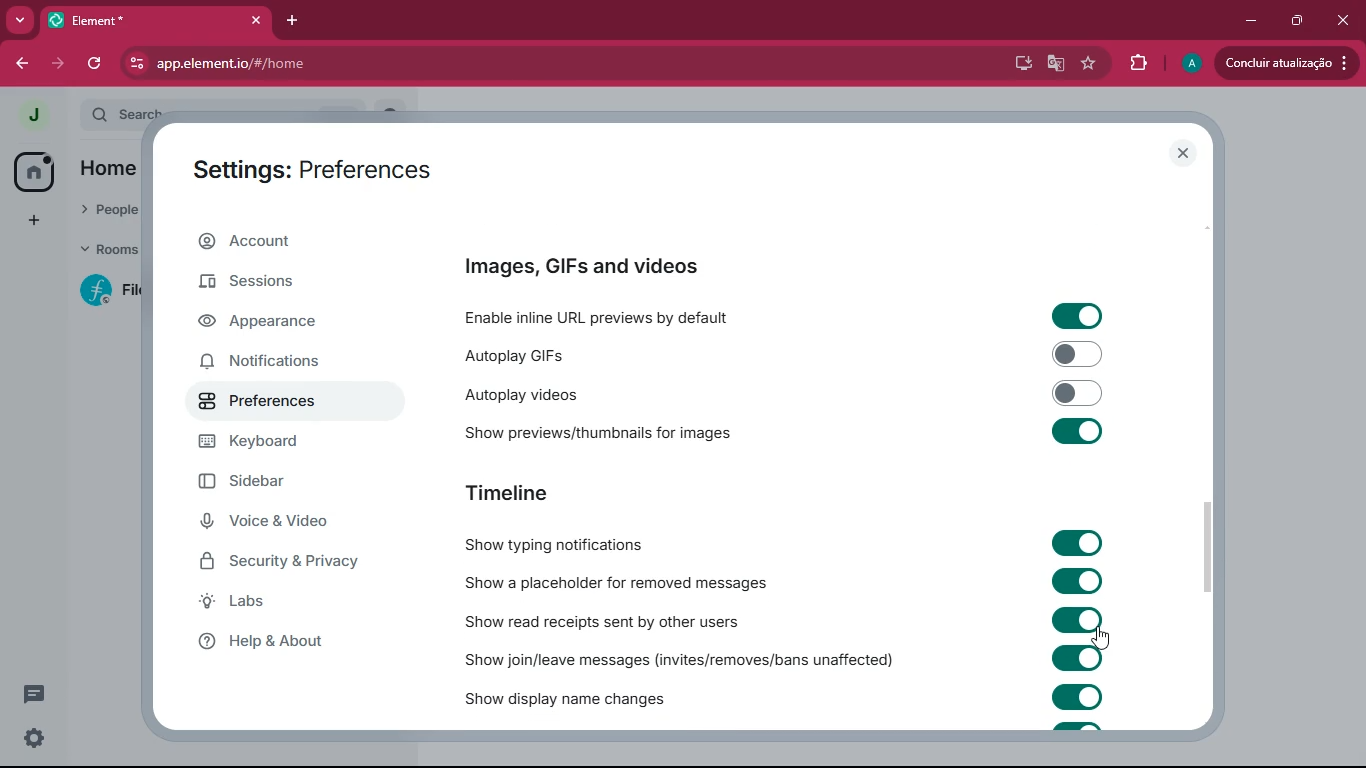  What do you see at coordinates (1077, 696) in the screenshot?
I see `toggle on/off` at bounding box center [1077, 696].